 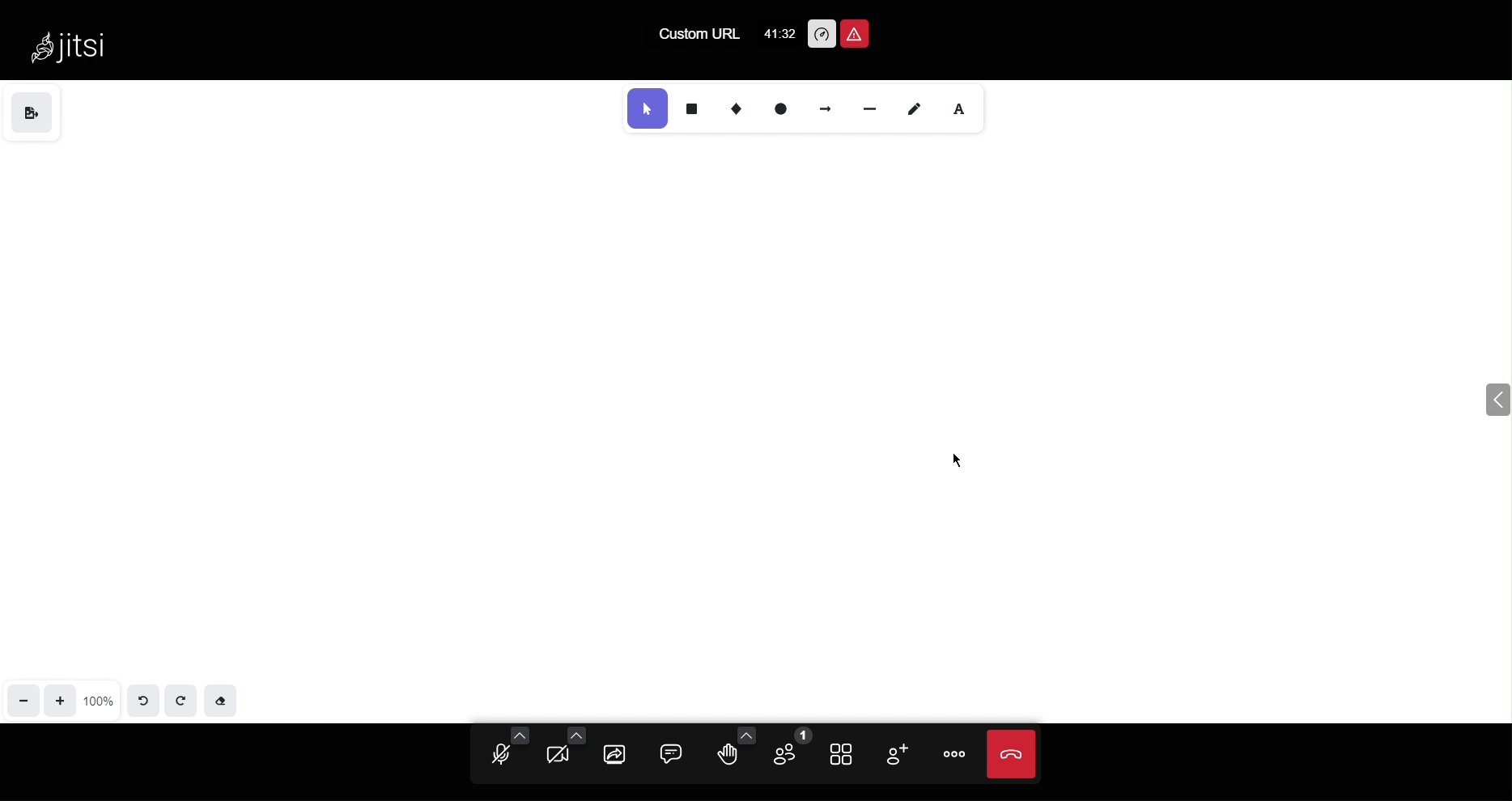 What do you see at coordinates (62, 700) in the screenshot?
I see `Zoom in` at bounding box center [62, 700].